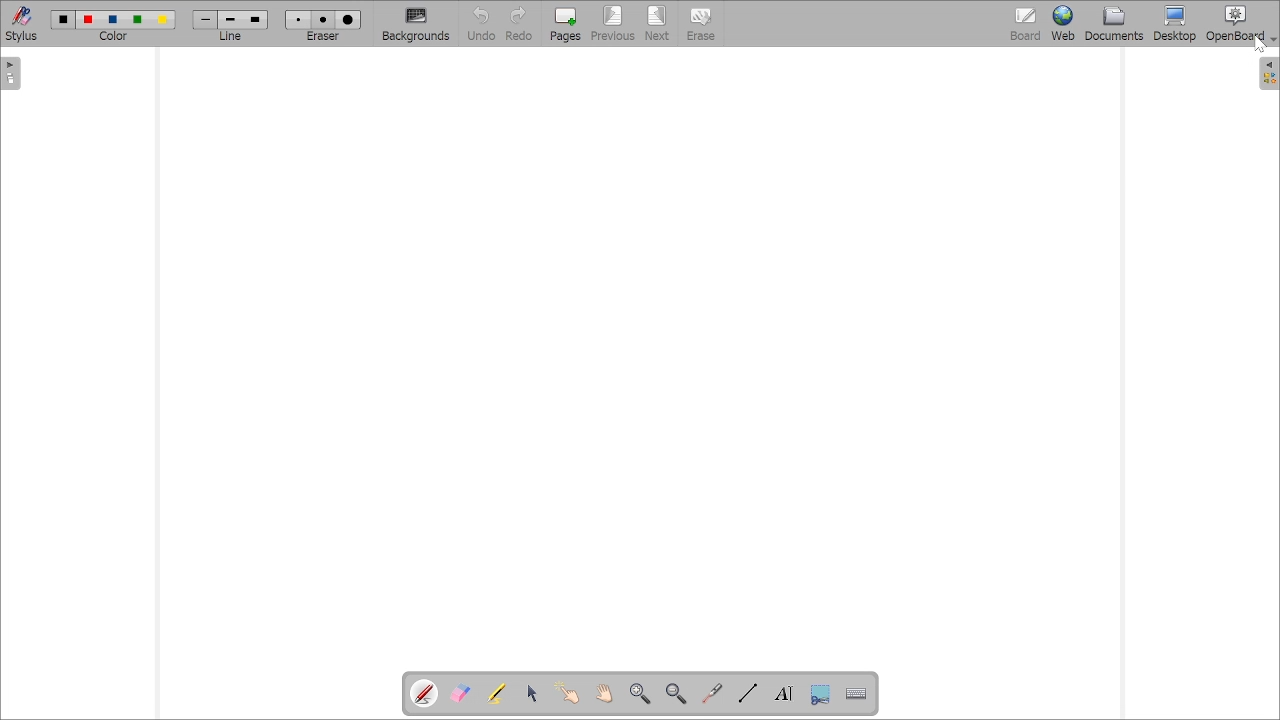 This screenshot has width=1280, height=720. What do you see at coordinates (415, 25) in the screenshot?
I see `Backgrounds` at bounding box center [415, 25].